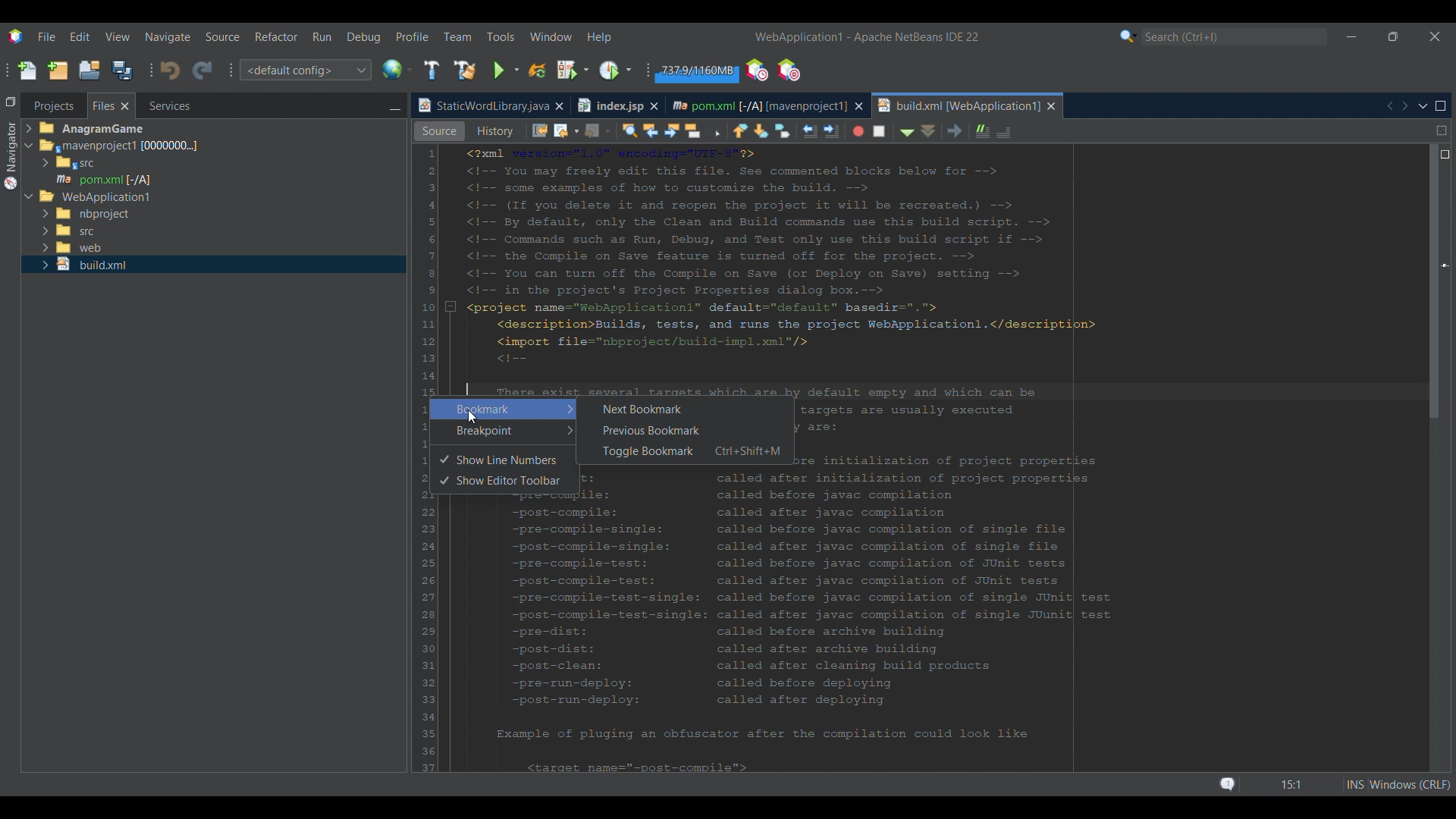 The image size is (1456, 819). What do you see at coordinates (118, 37) in the screenshot?
I see `View menu` at bounding box center [118, 37].